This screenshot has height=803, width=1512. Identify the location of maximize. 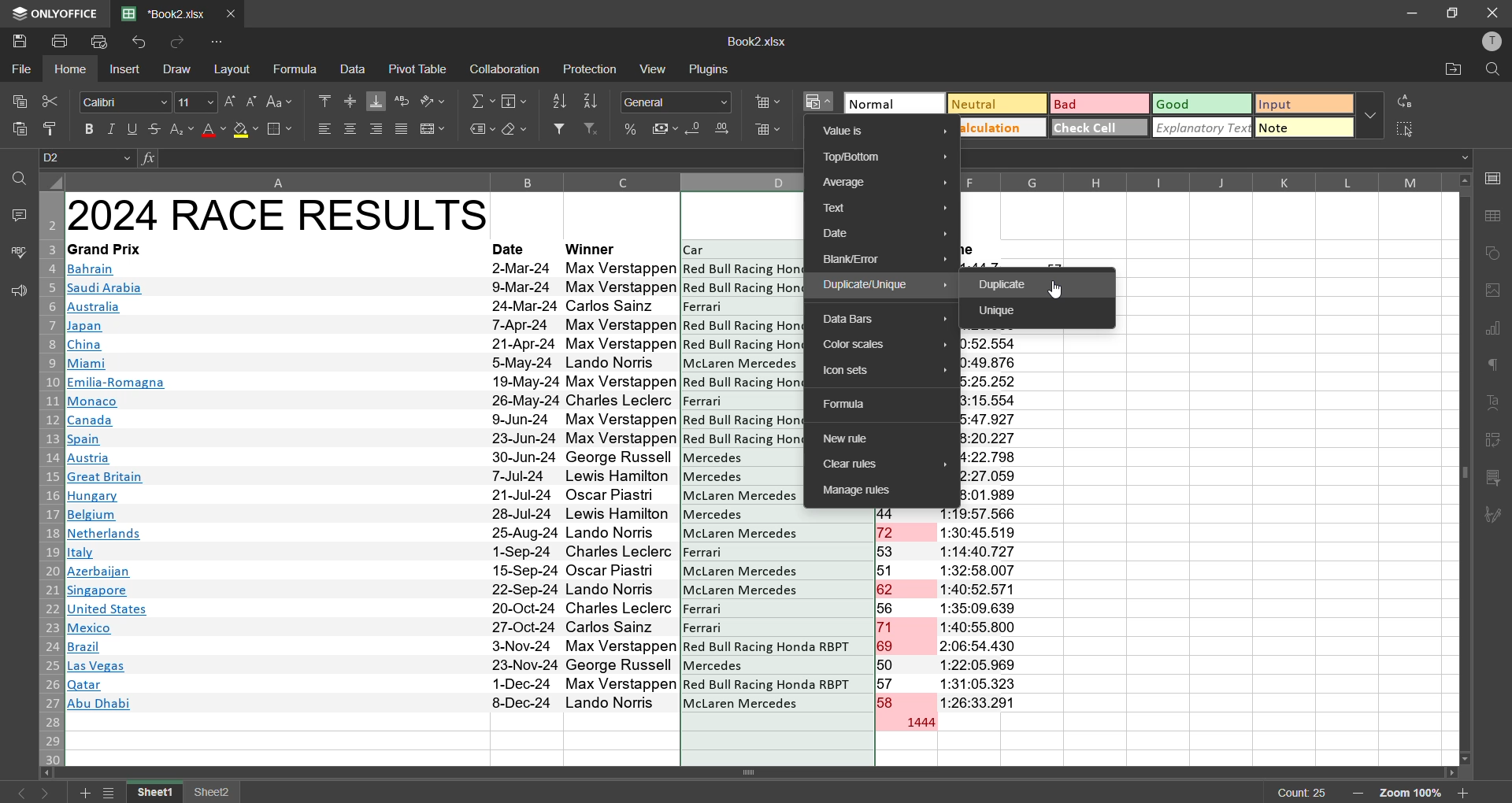
(1454, 12).